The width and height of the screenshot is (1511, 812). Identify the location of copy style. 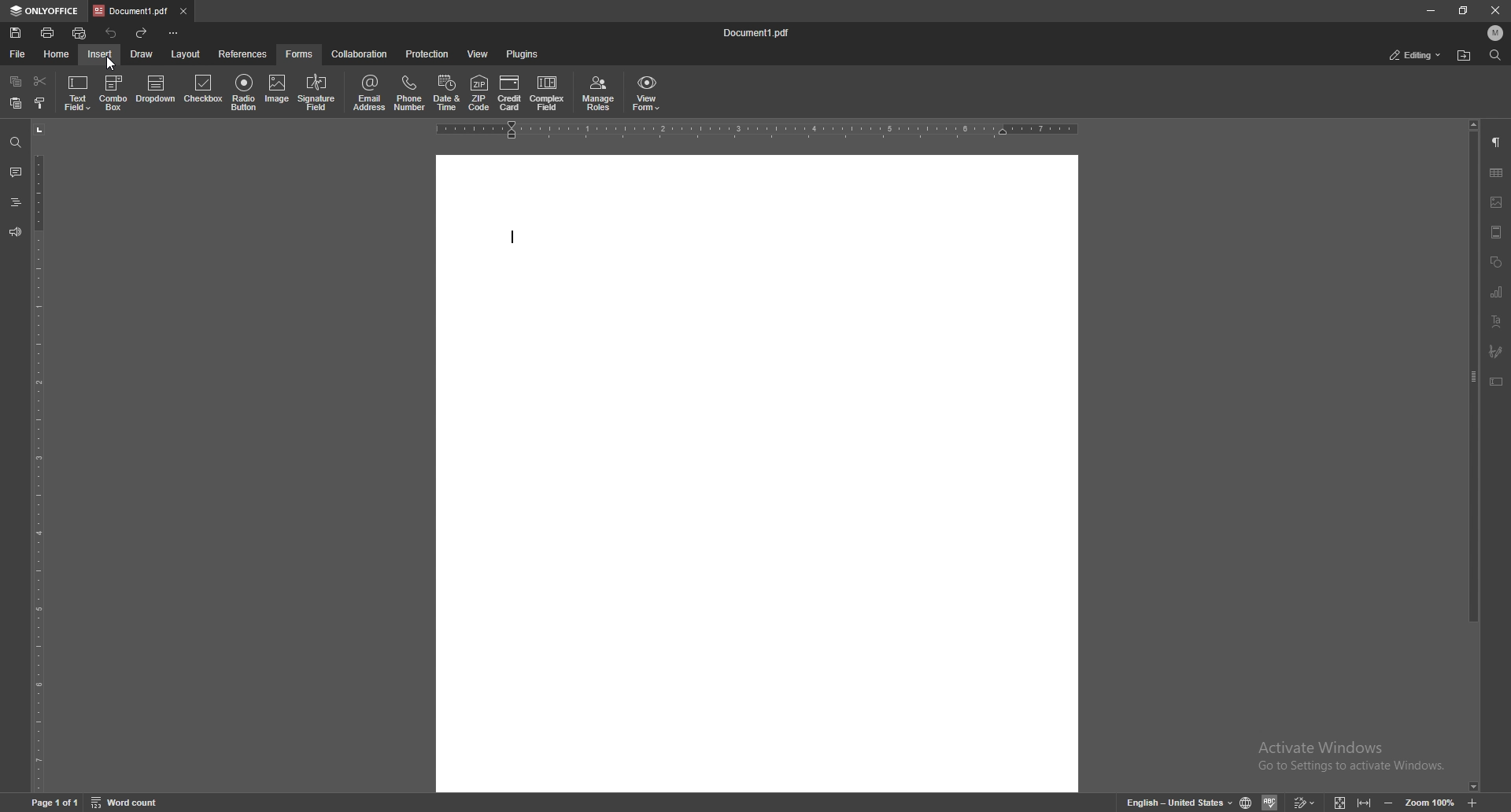
(40, 103).